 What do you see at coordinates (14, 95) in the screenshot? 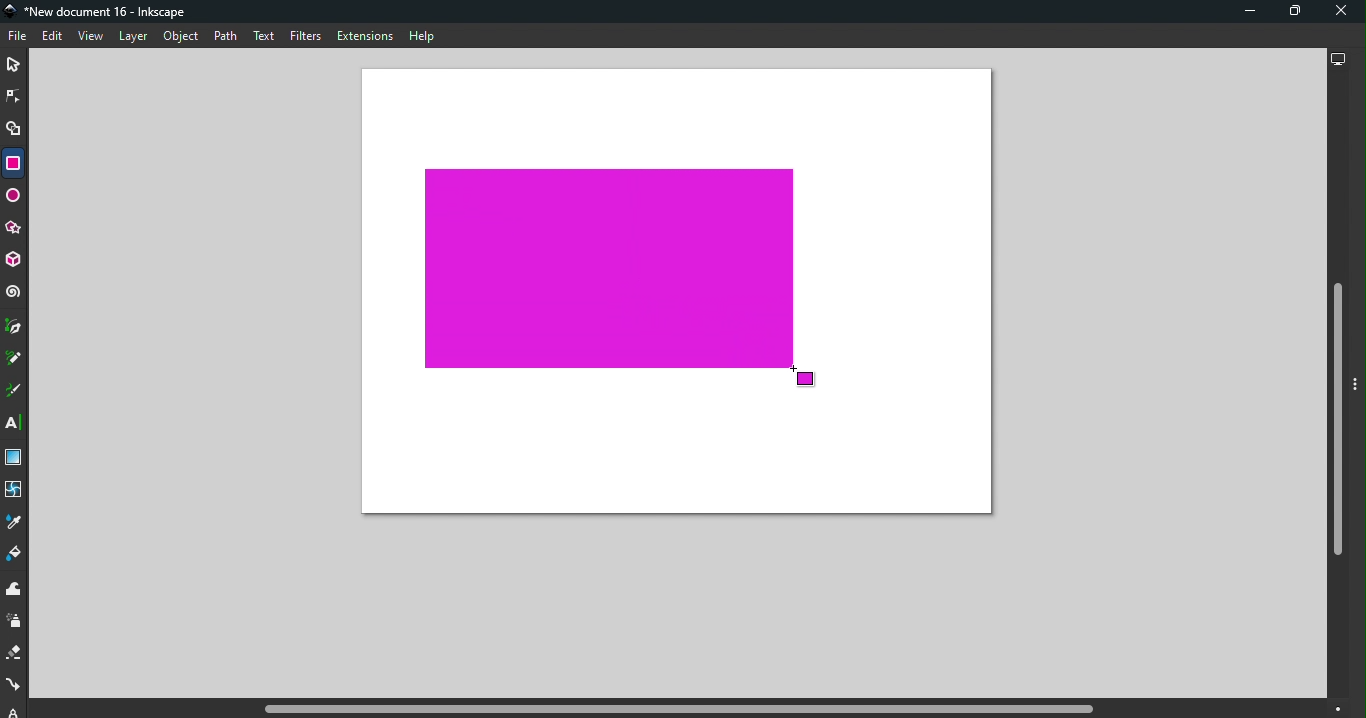
I see `Node tool` at bounding box center [14, 95].